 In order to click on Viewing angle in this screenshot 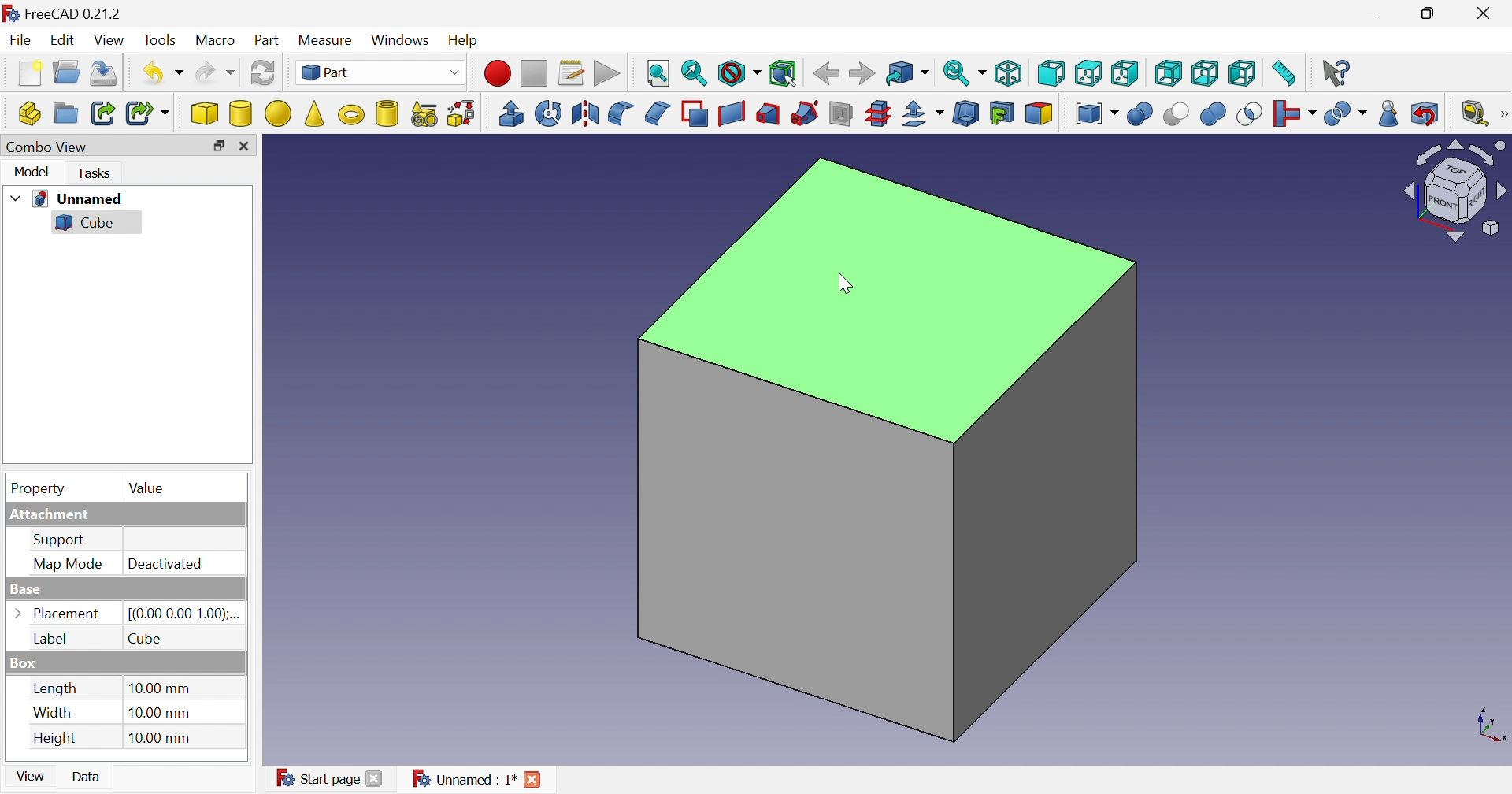, I will do `click(1451, 191)`.